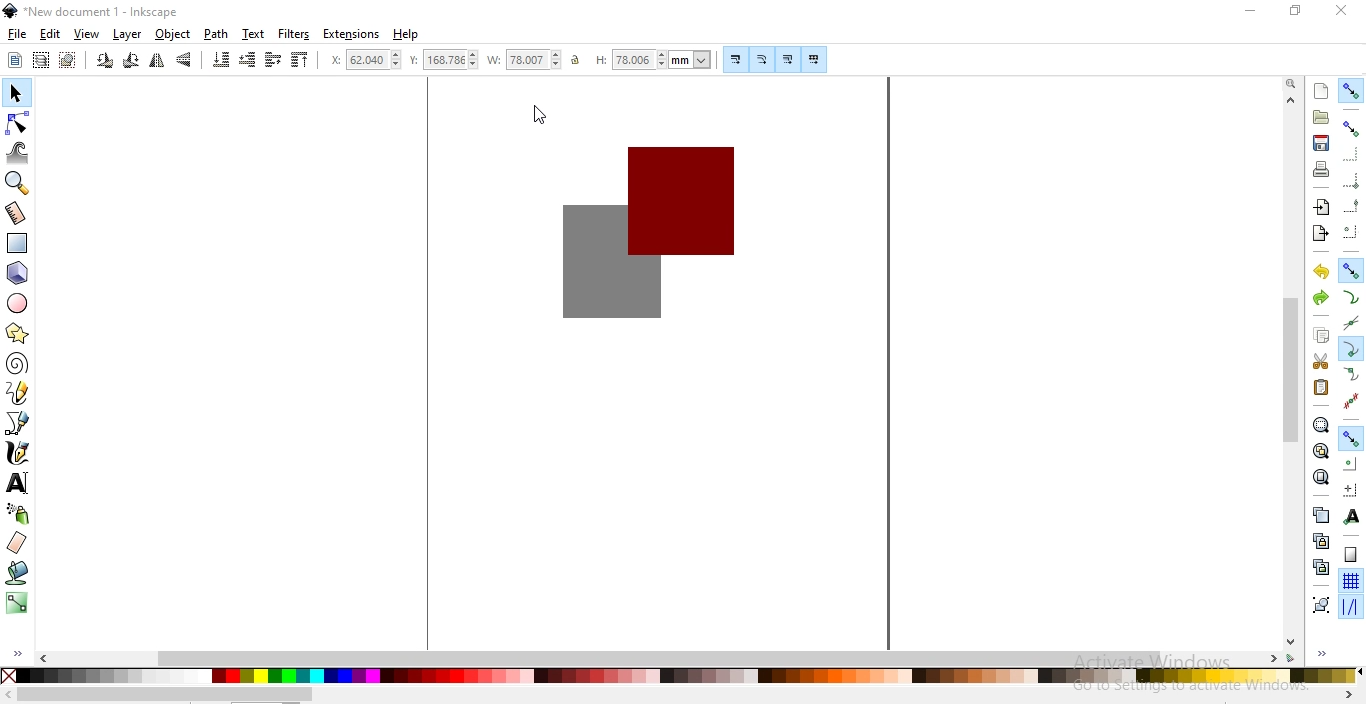 This screenshot has width=1366, height=704. I want to click on snap to path intersection, so click(1349, 324).